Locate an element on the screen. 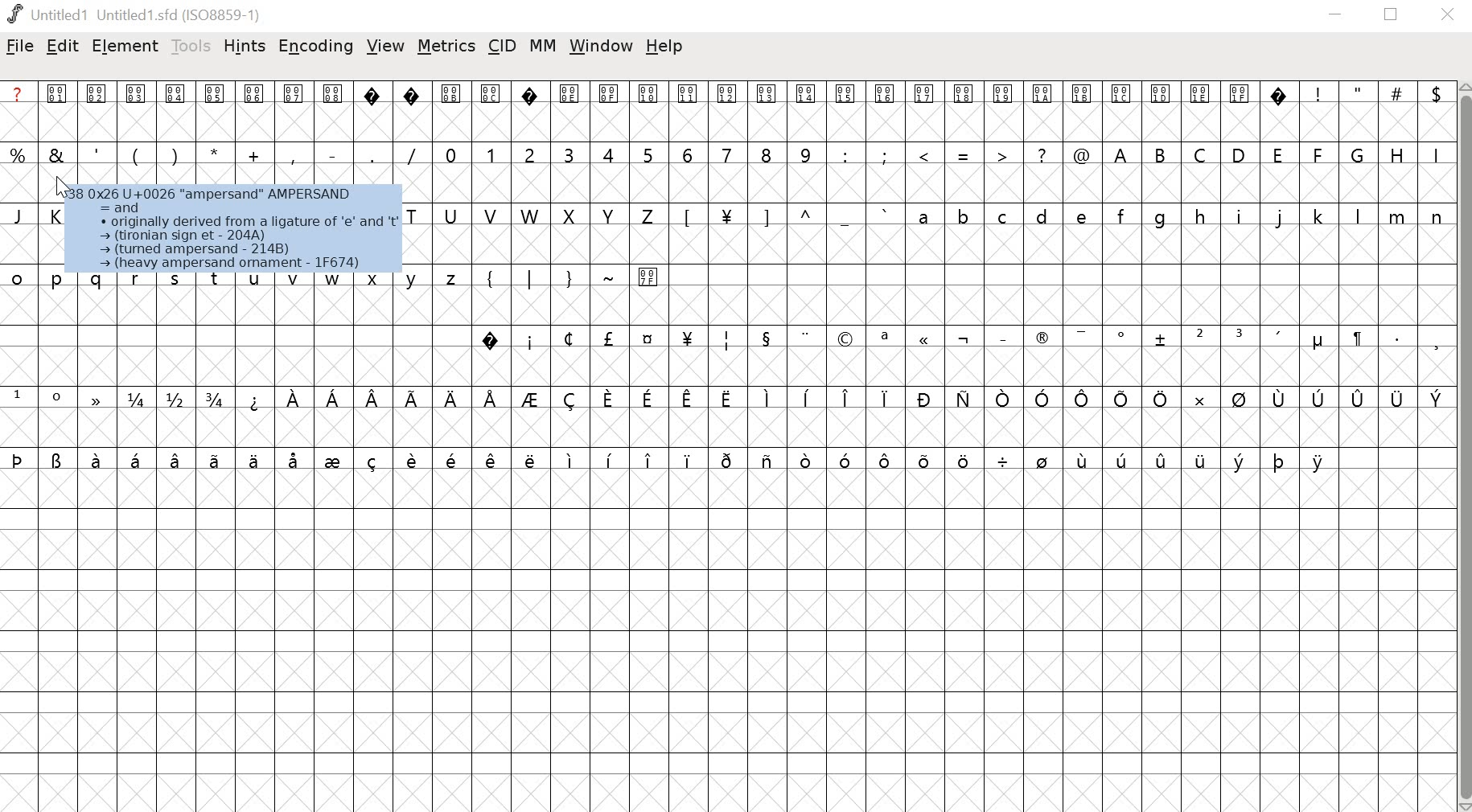 This screenshot has width=1472, height=812. a is located at coordinates (886, 337).